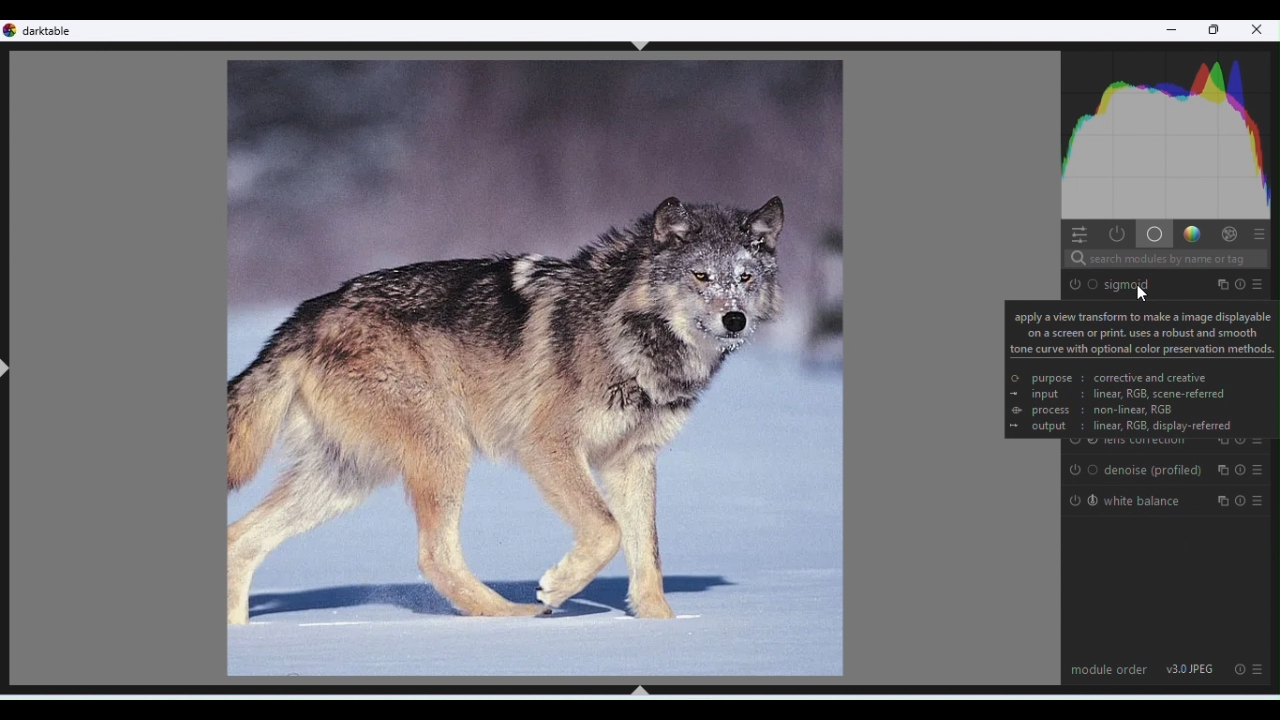  I want to click on White balance, so click(1169, 501).